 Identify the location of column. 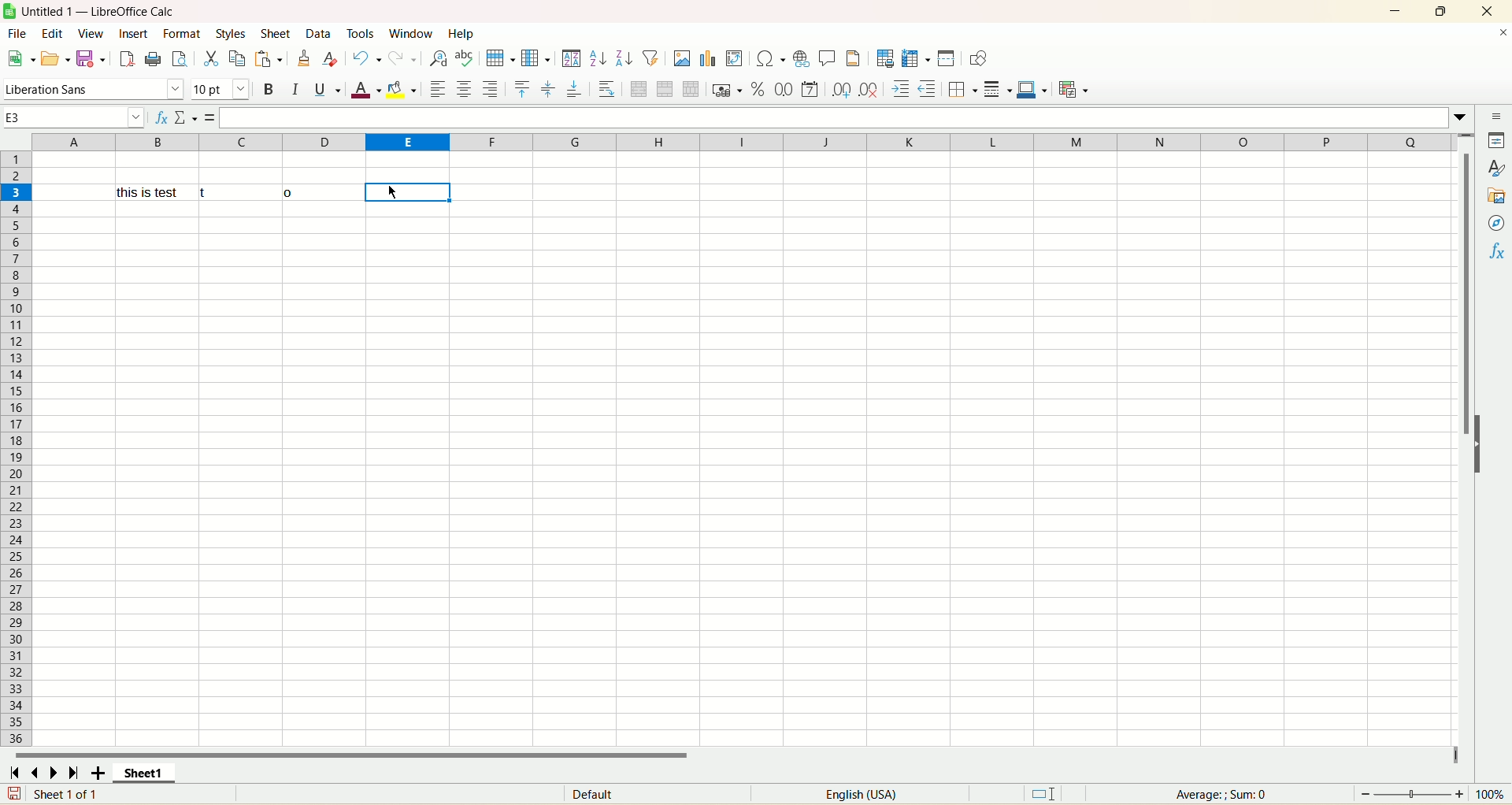
(537, 57).